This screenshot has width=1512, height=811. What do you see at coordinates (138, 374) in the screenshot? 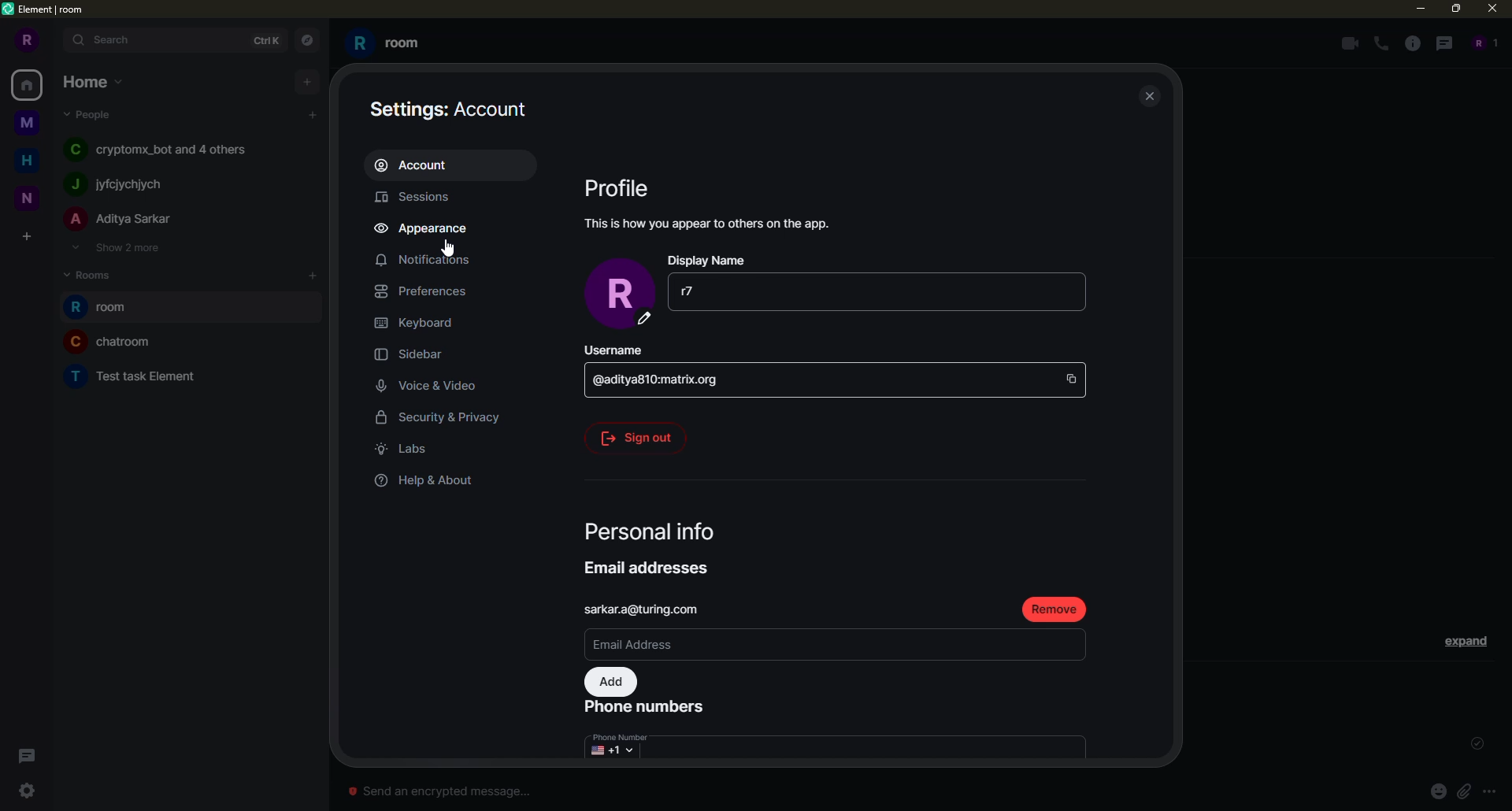
I see `room` at bounding box center [138, 374].